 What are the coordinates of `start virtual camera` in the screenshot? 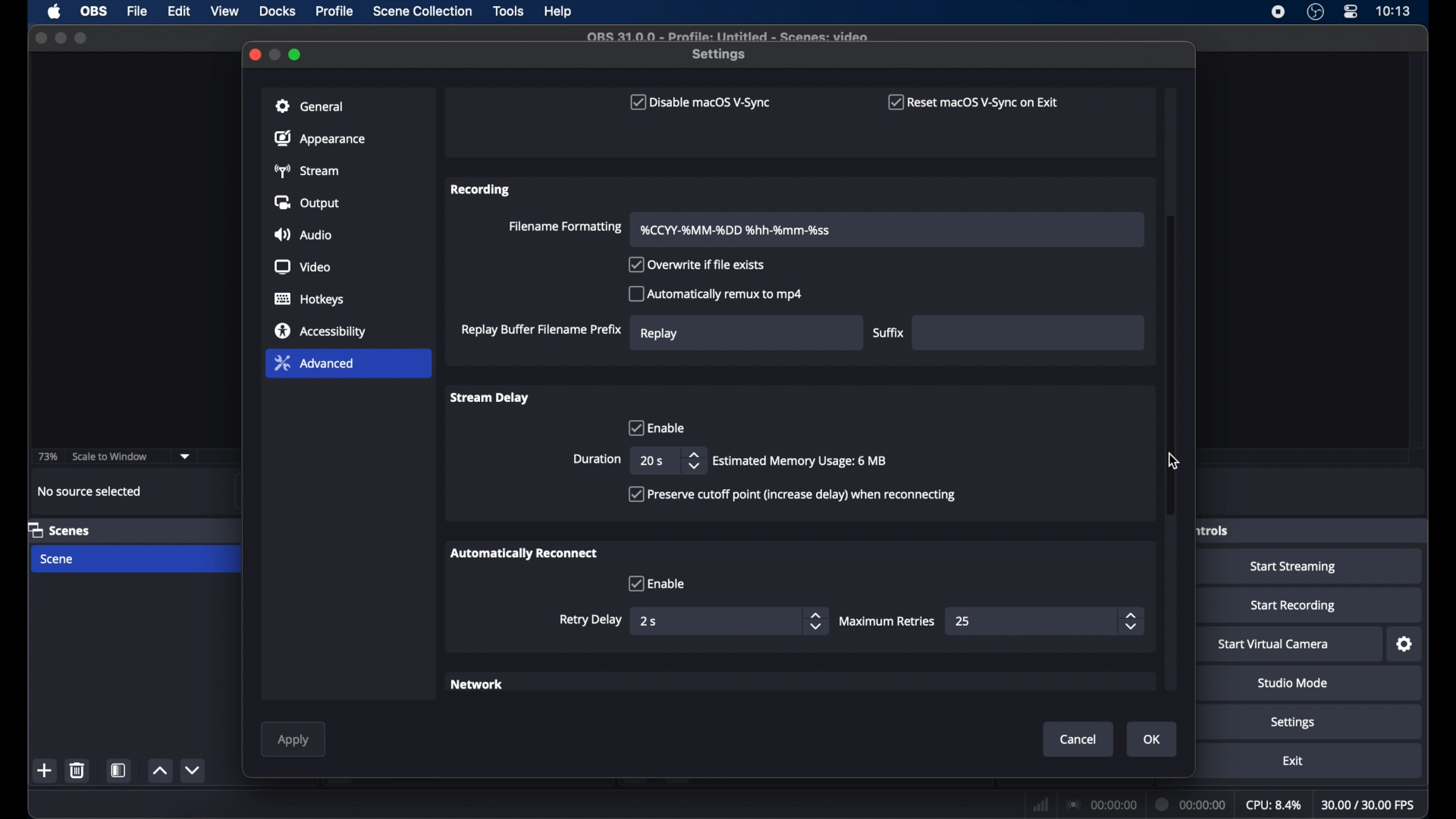 It's located at (1274, 645).